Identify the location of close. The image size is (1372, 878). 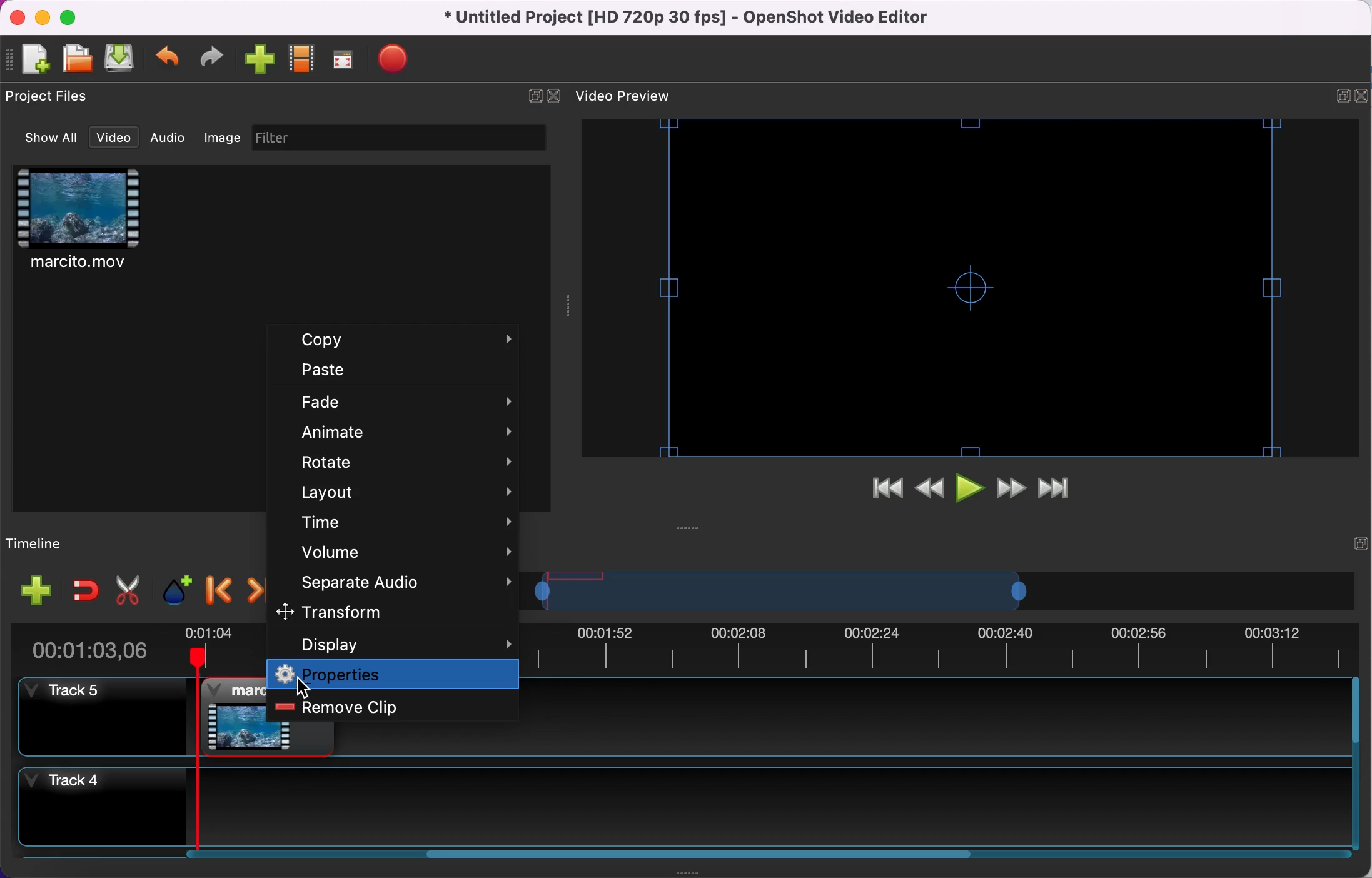
(17, 18).